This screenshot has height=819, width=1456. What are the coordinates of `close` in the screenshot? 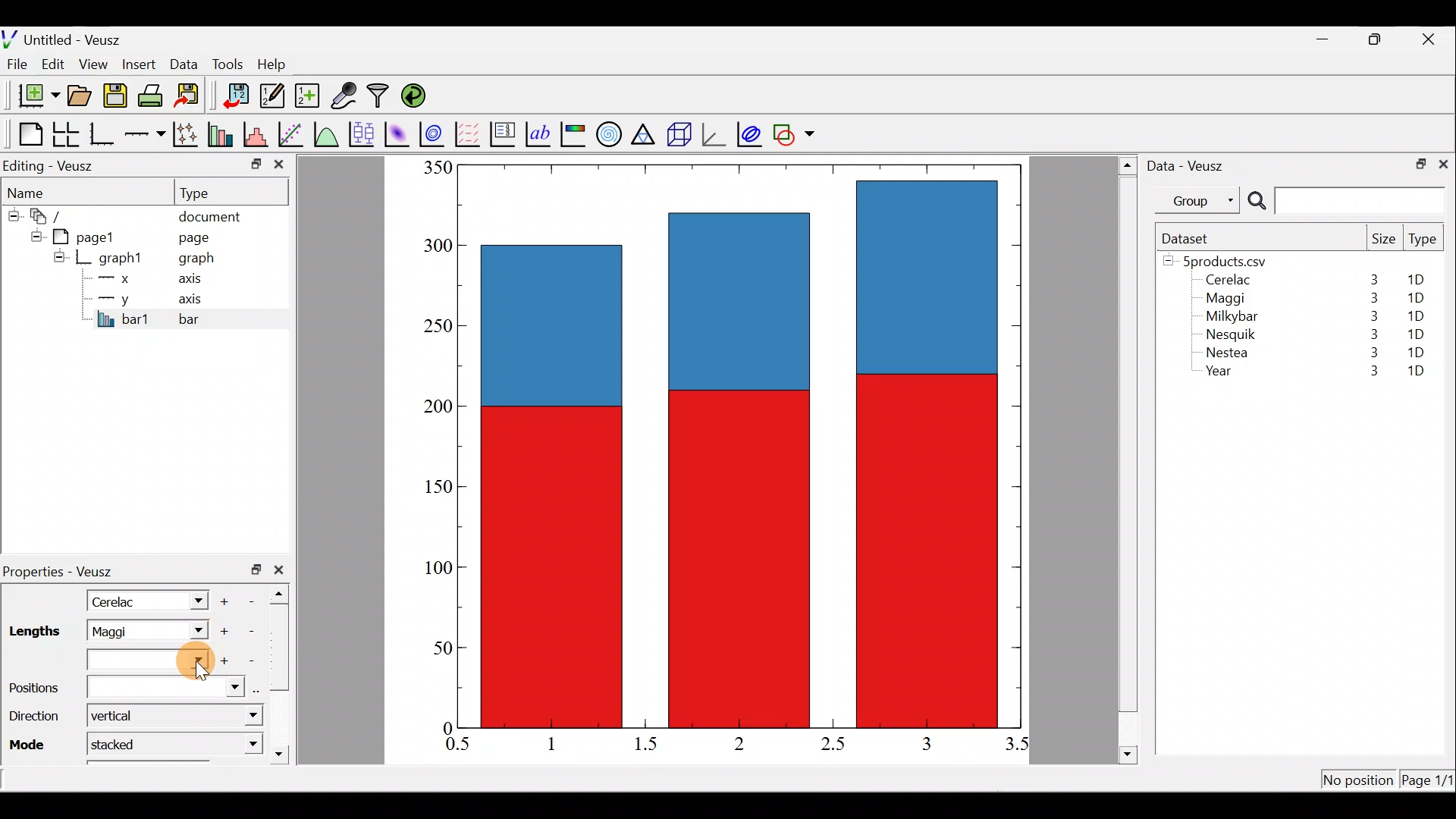 It's located at (1443, 163).